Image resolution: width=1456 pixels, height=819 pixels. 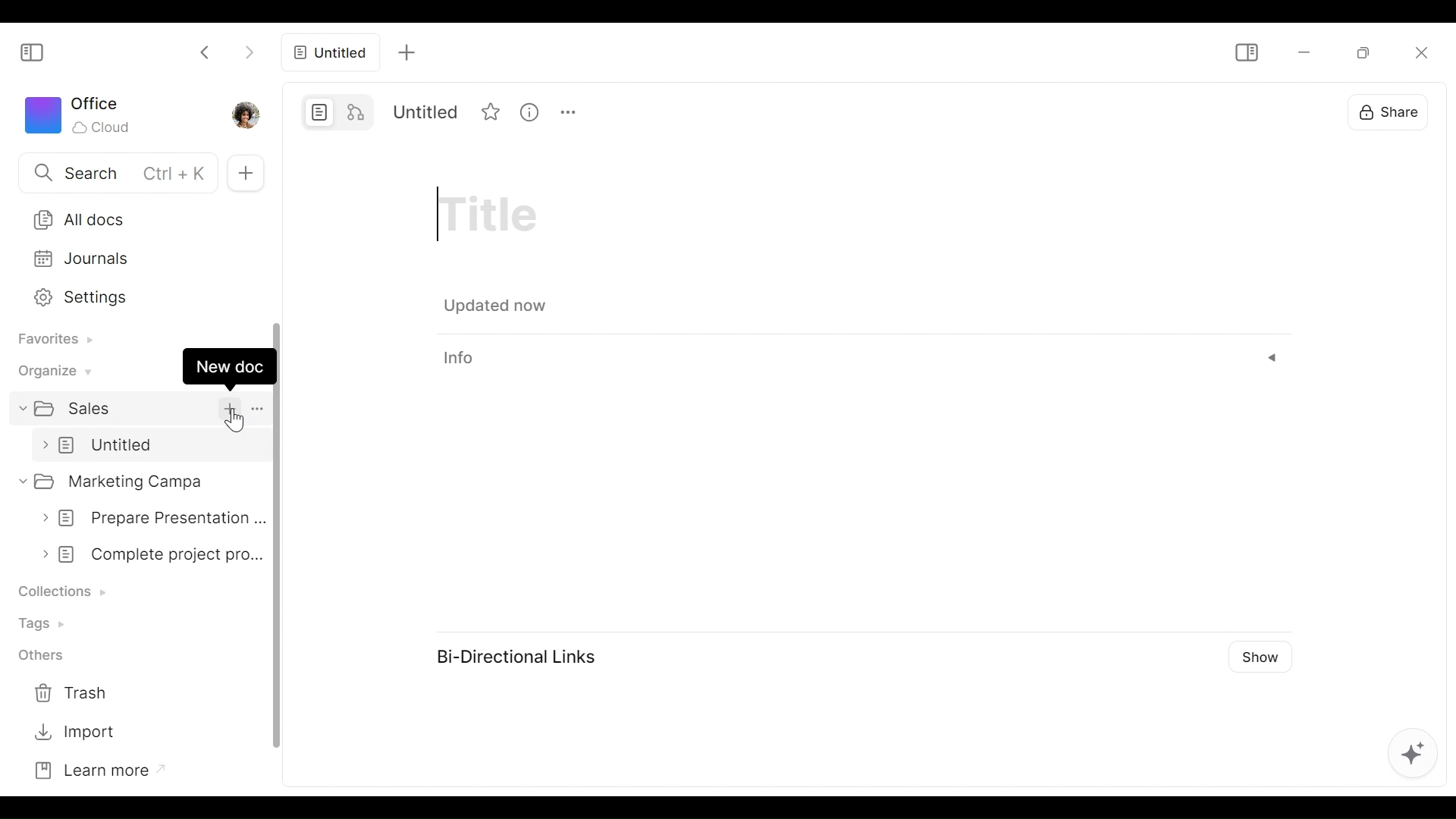 What do you see at coordinates (52, 370) in the screenshot?
I see `Organize` at bounding box center [52, 370].